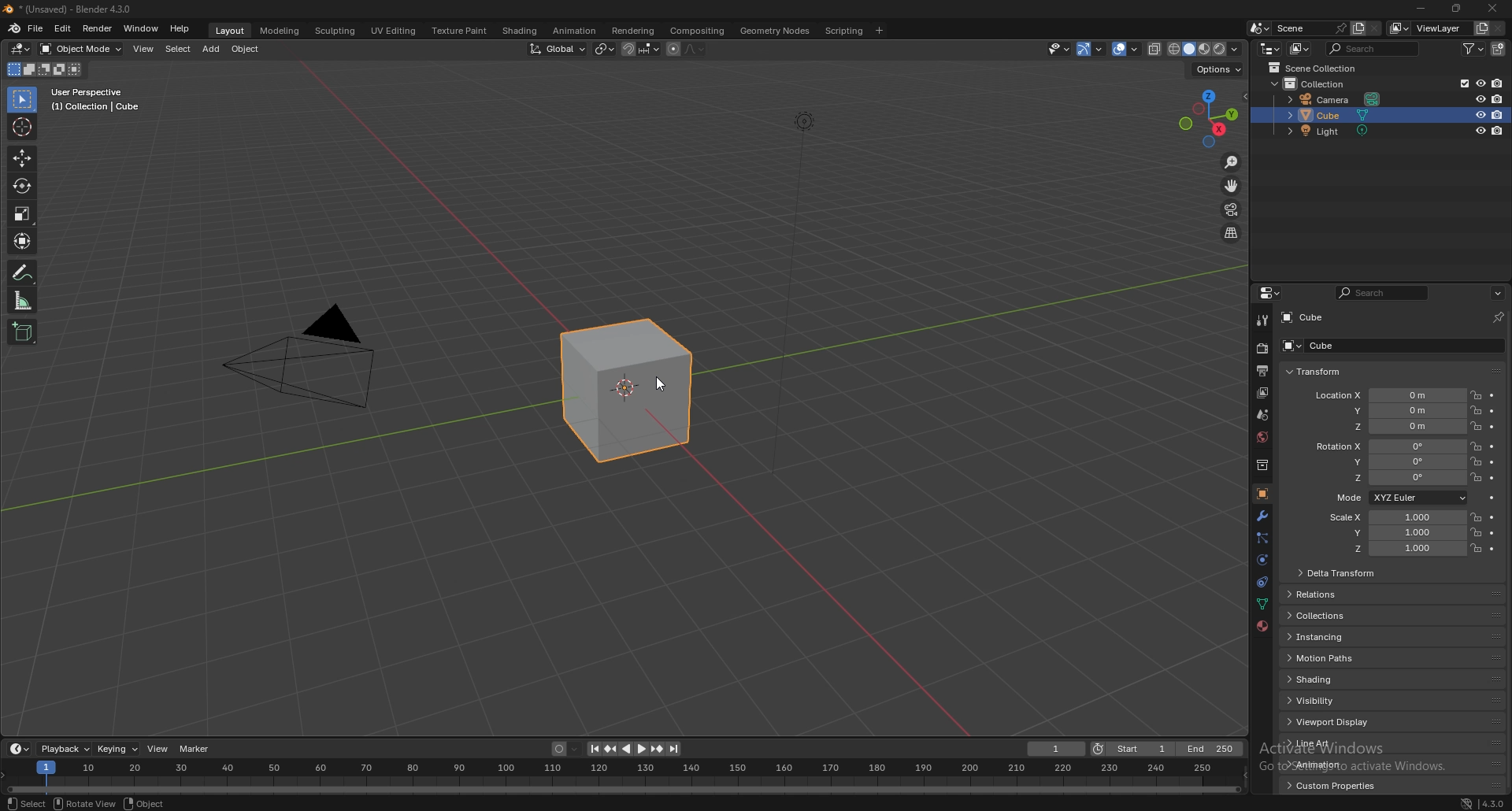  Describe the element at coordinates (1476, 410) in the screenshot. I see `lock location` at that location.